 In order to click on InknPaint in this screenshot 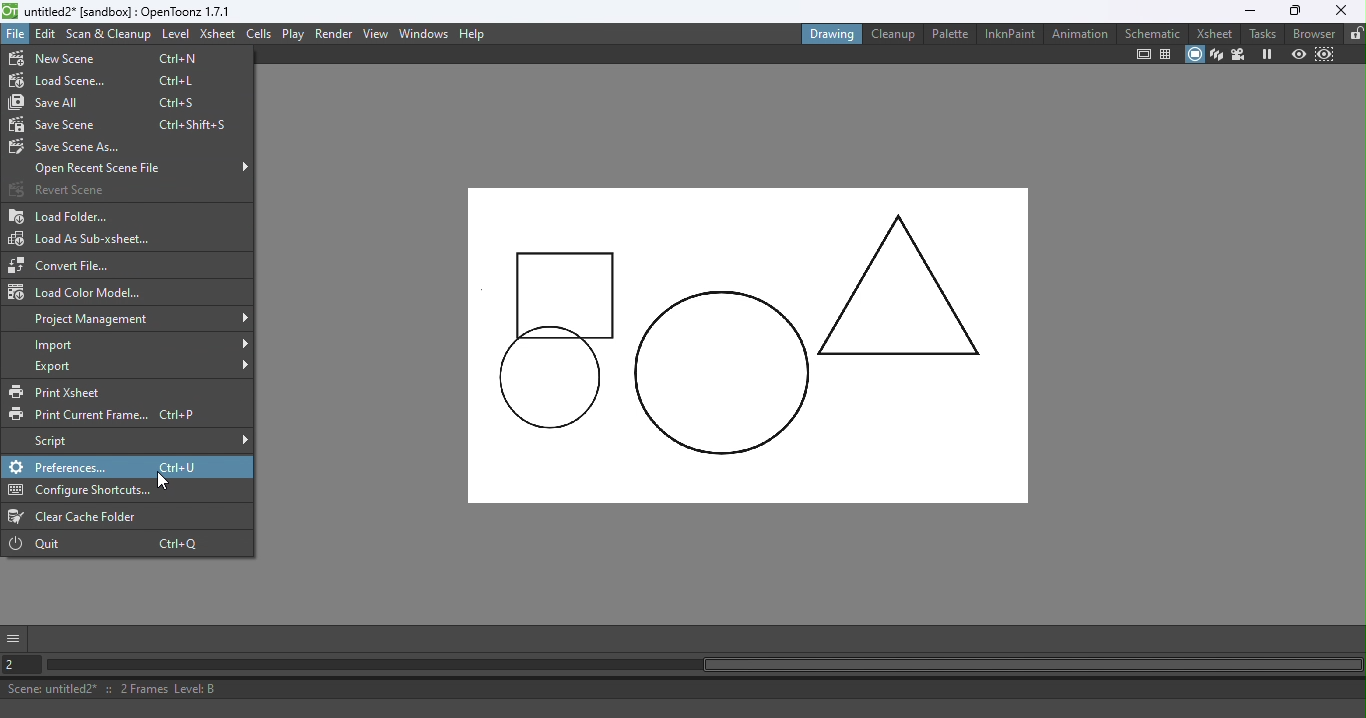, I will do `click(1010, 34)`.